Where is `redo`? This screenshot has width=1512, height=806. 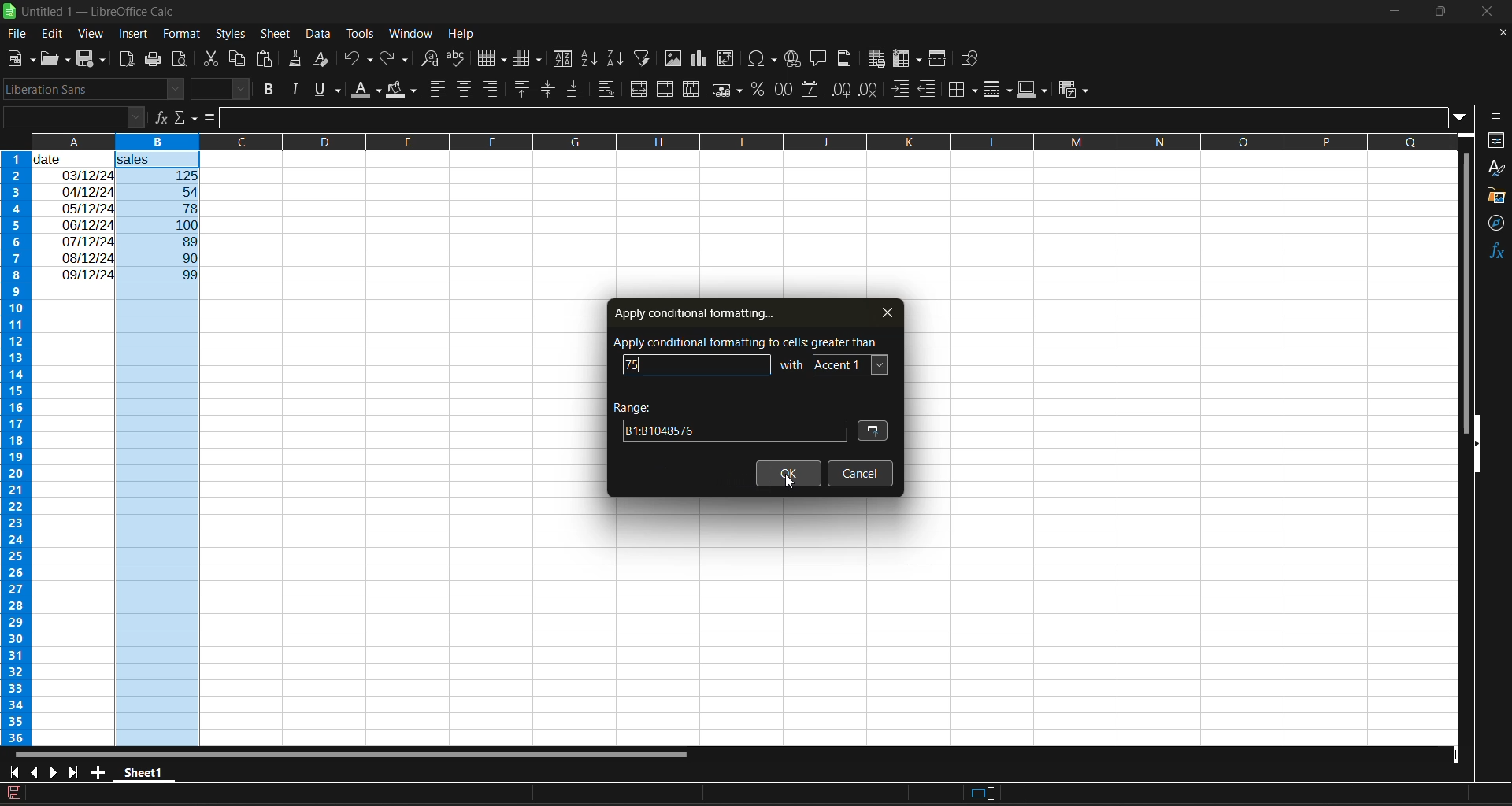 redo is located at coordinates (397, 59).